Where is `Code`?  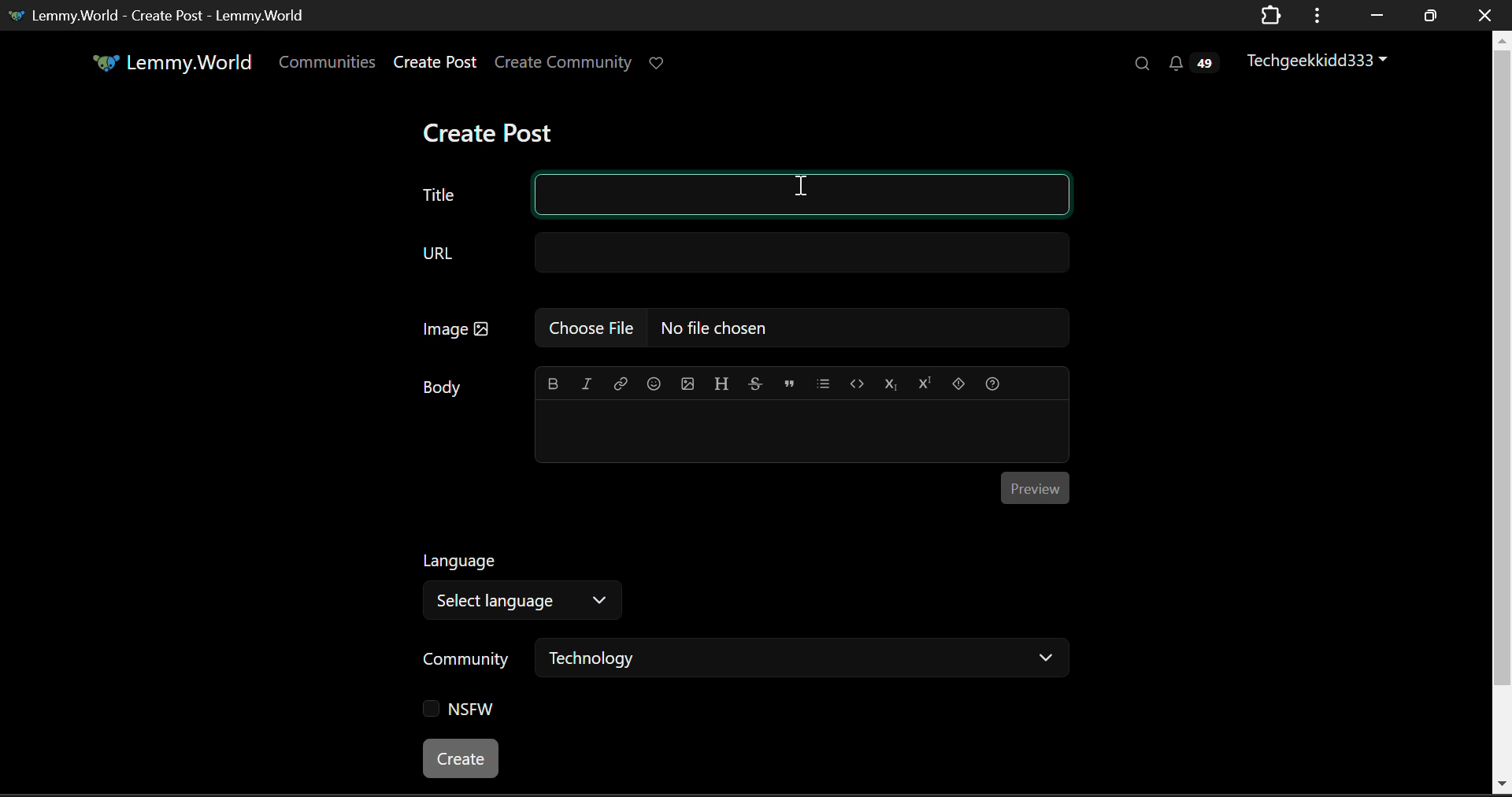 Code is located at coordinates (856, 384).